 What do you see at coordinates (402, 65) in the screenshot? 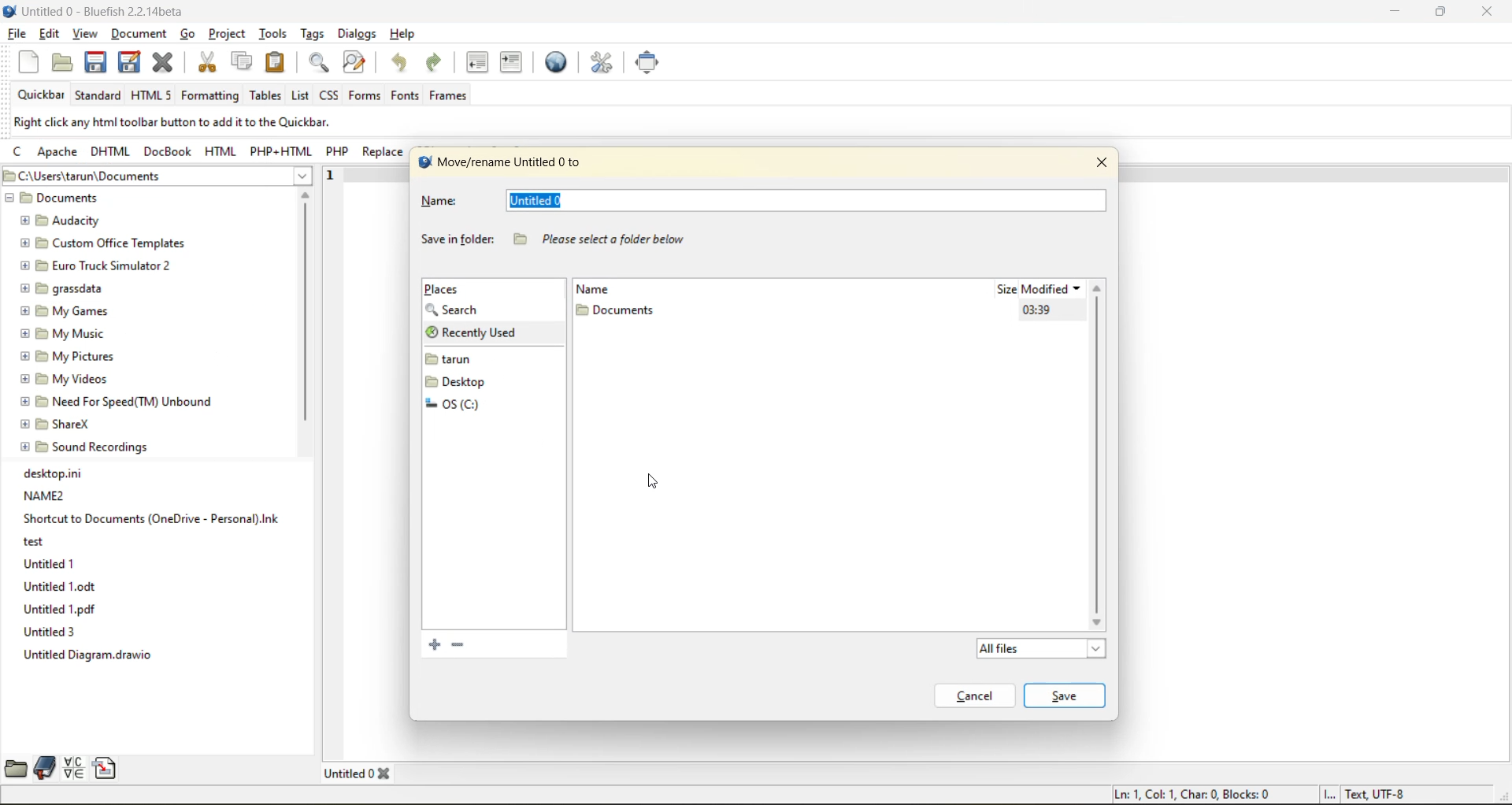
I see `undo` at bounding box center [402, 65].